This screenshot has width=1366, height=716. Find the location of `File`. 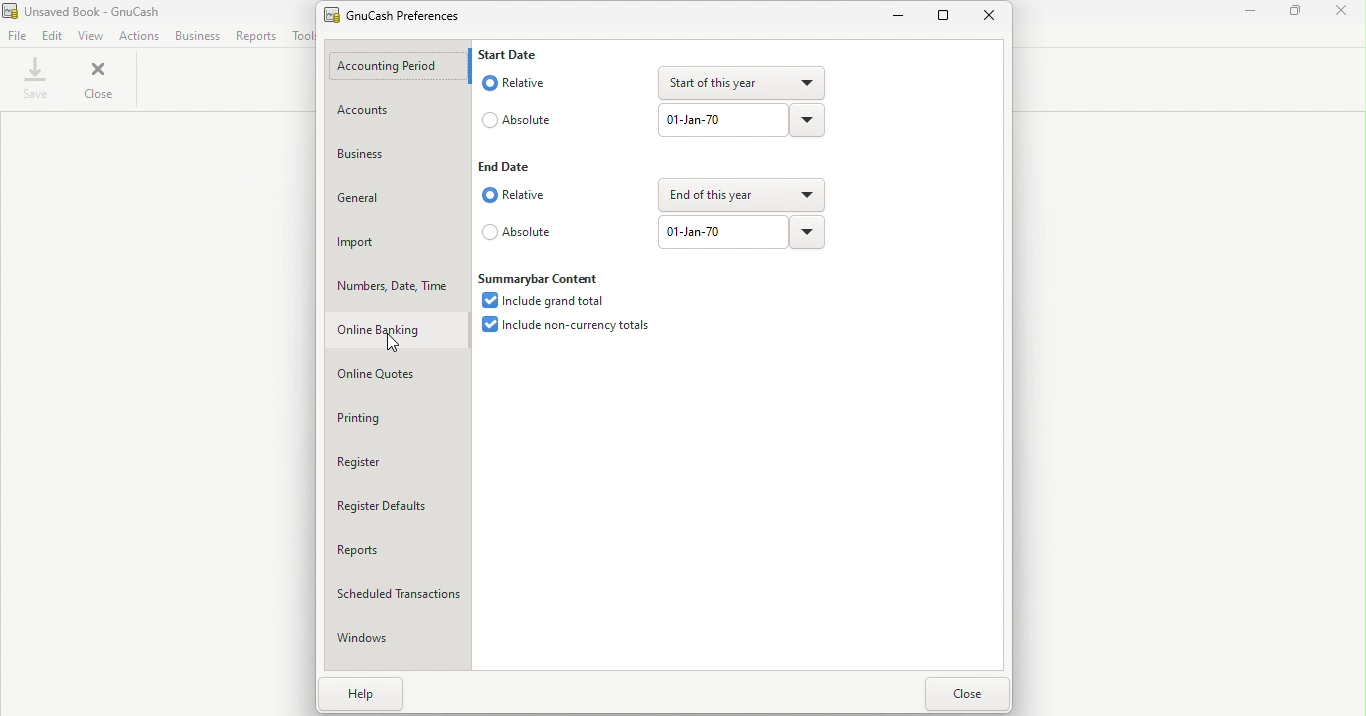

File is located at coordinates (16, 36).